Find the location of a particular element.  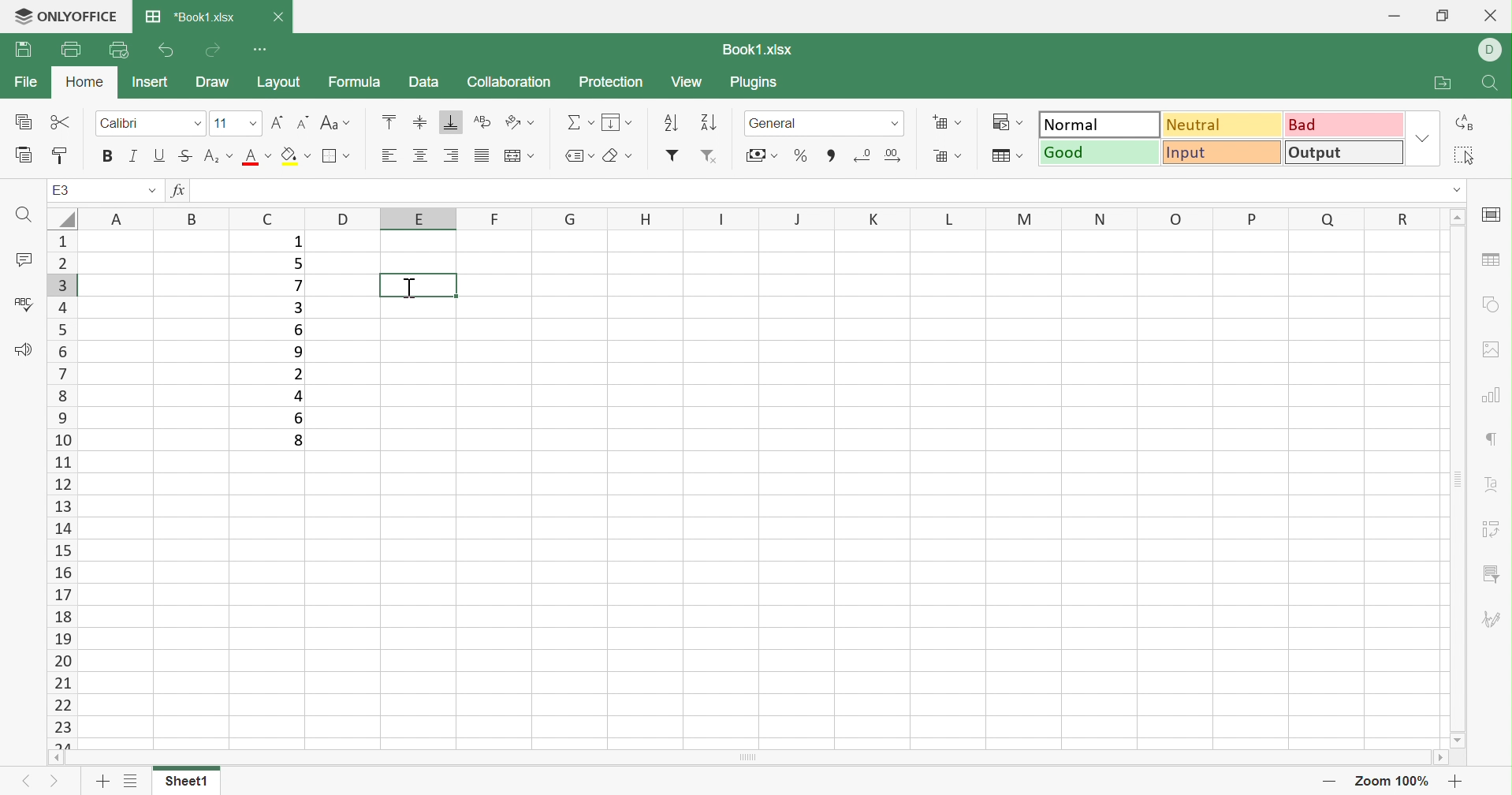

7 is located at coordinates (294, 286).